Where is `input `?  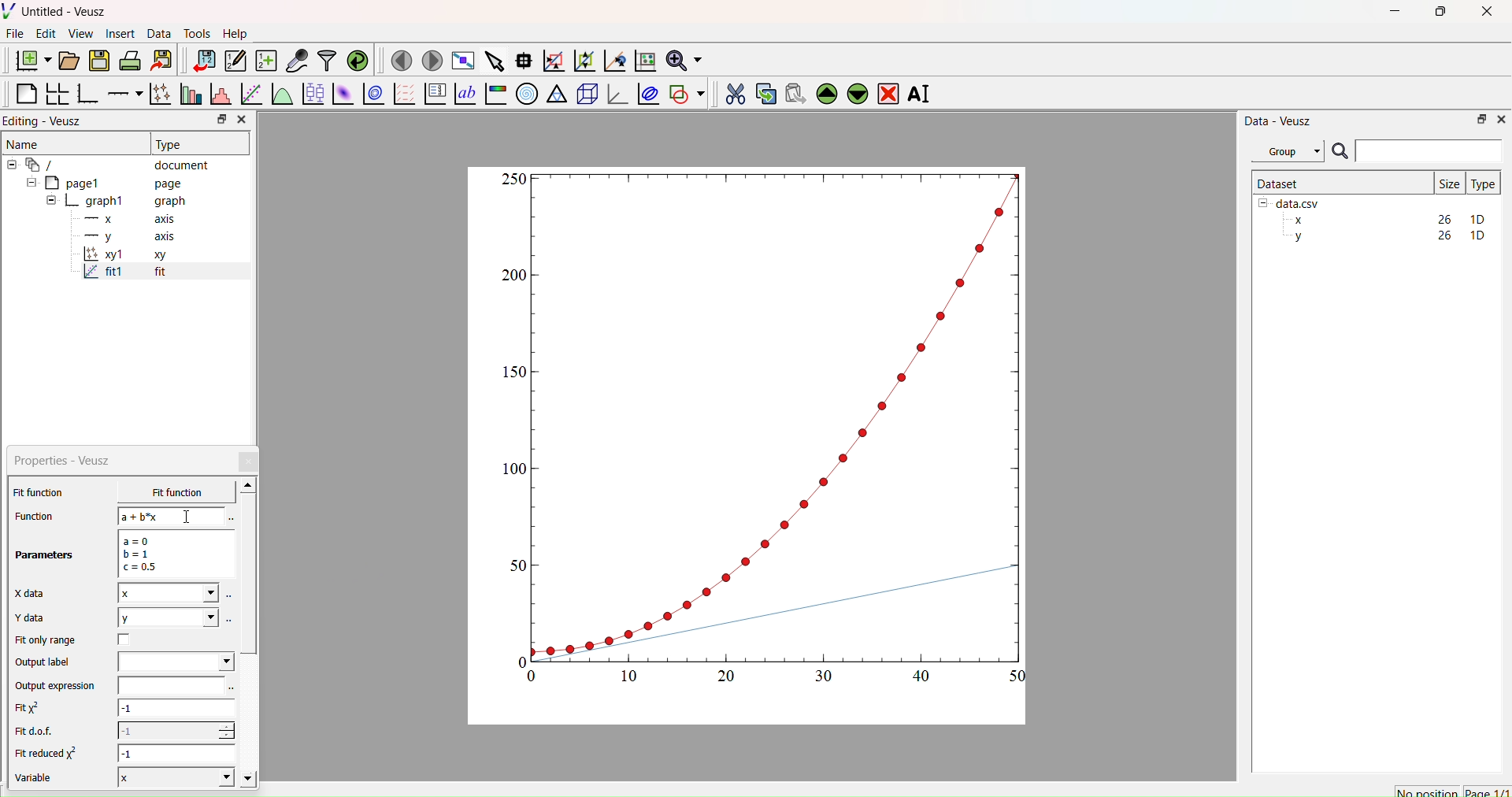
input  is located at coordinates (169, 685).